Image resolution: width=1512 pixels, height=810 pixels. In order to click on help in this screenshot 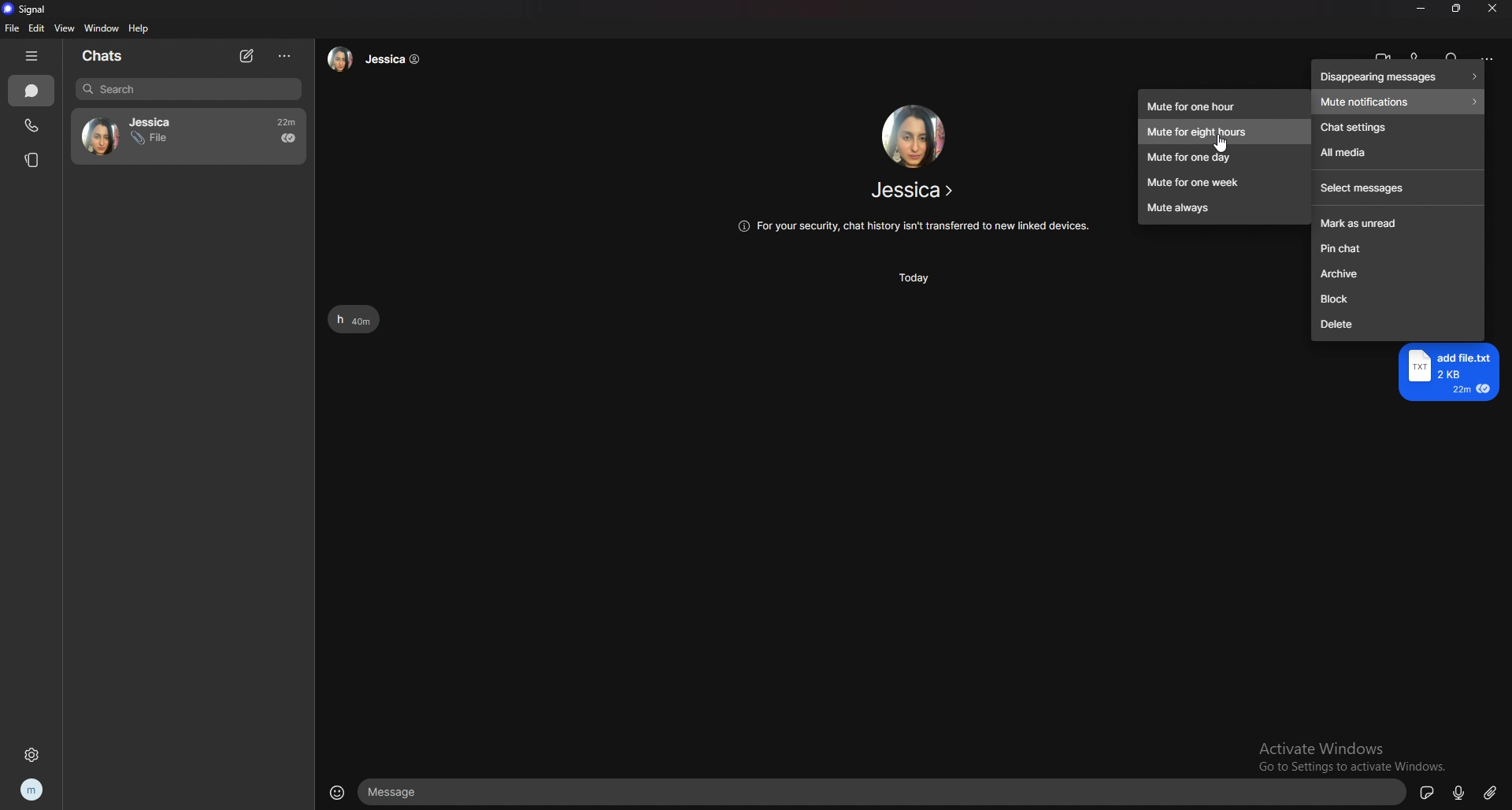, I will do `click(139, 28)`.